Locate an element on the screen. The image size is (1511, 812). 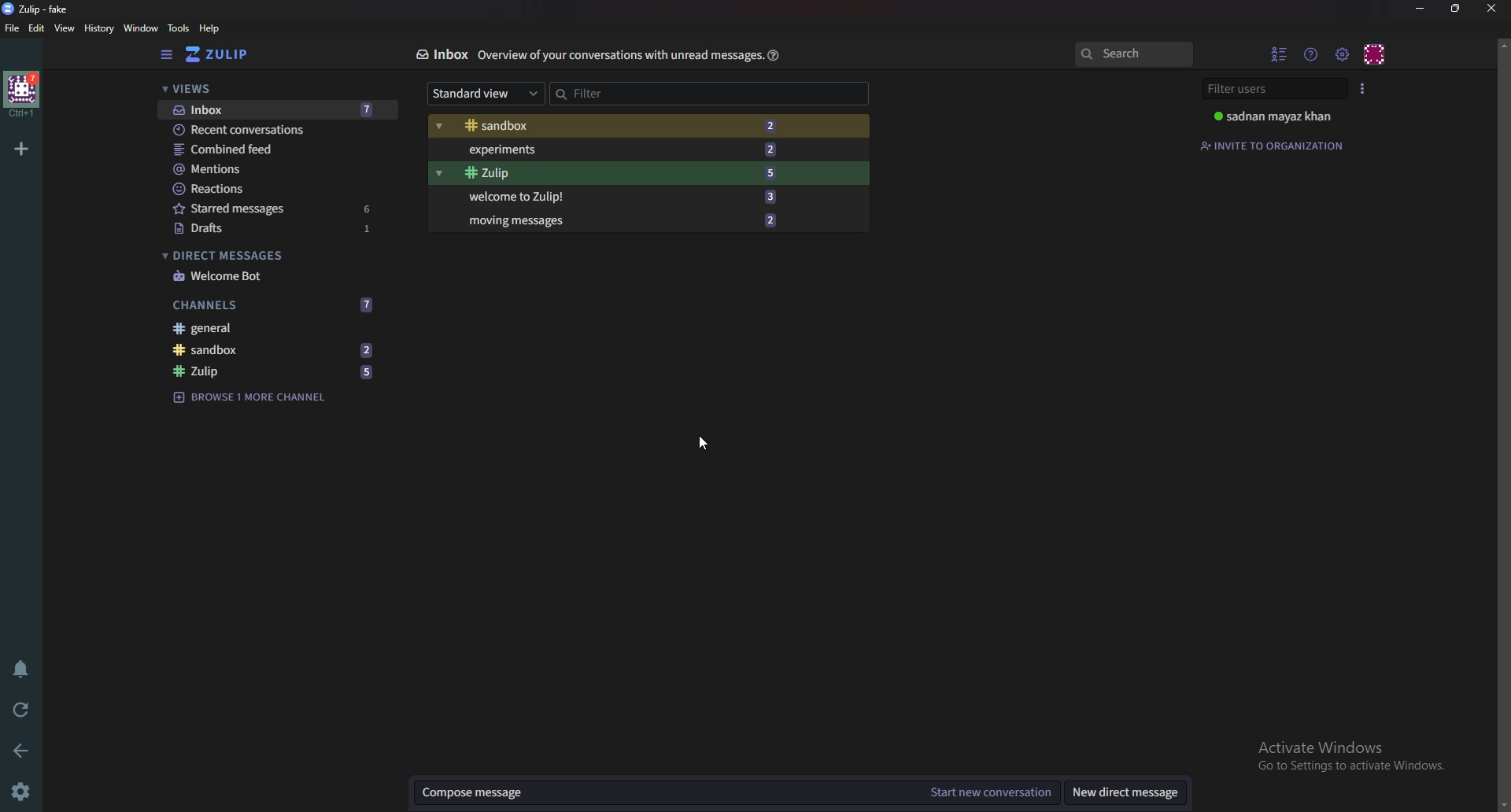
starred Messages 6 is located at coordinates (274, 208).